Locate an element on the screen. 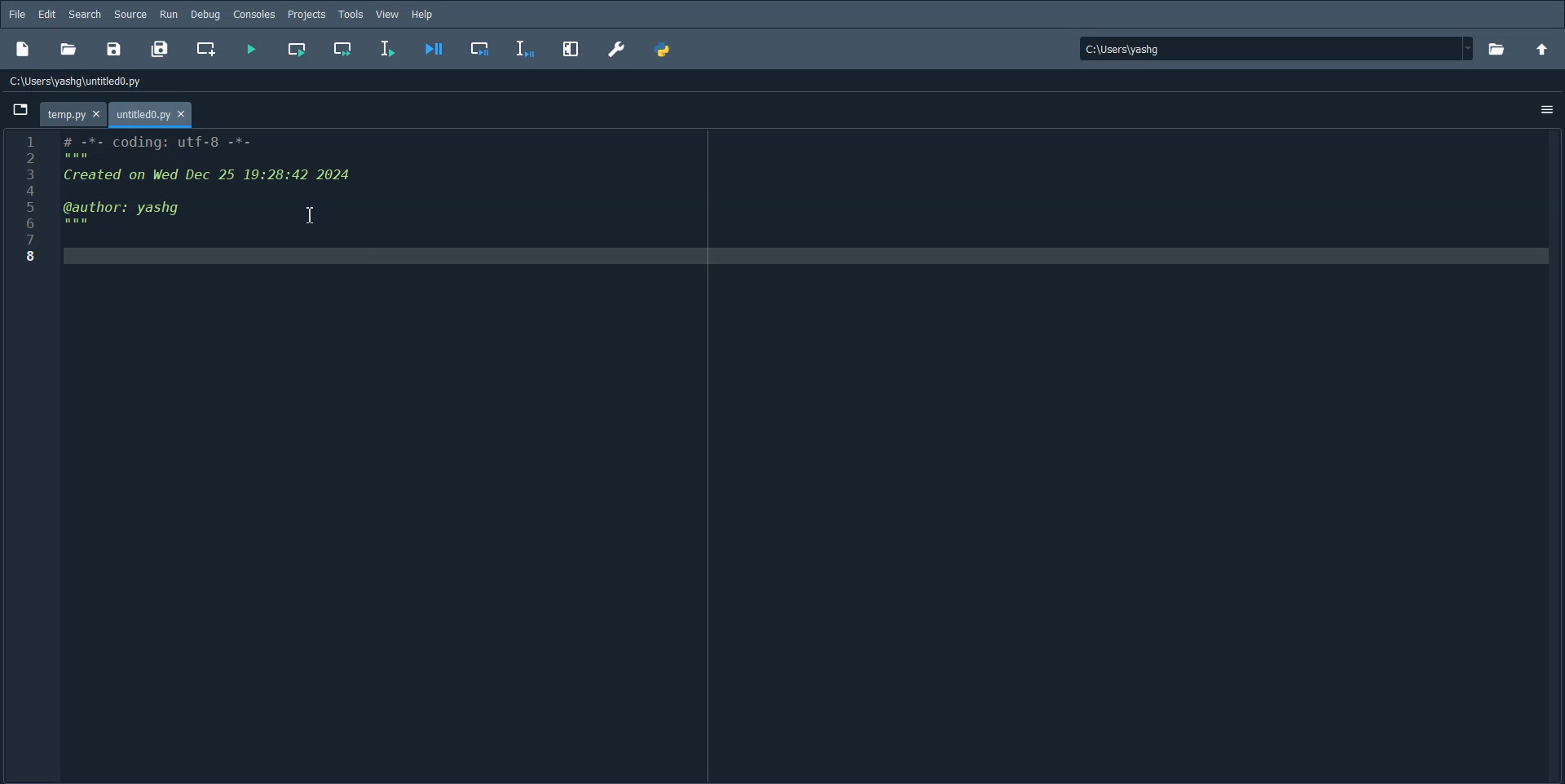 This screenshot has height=784, width=1565. Debug Selection is located at coordinates (524, 51).